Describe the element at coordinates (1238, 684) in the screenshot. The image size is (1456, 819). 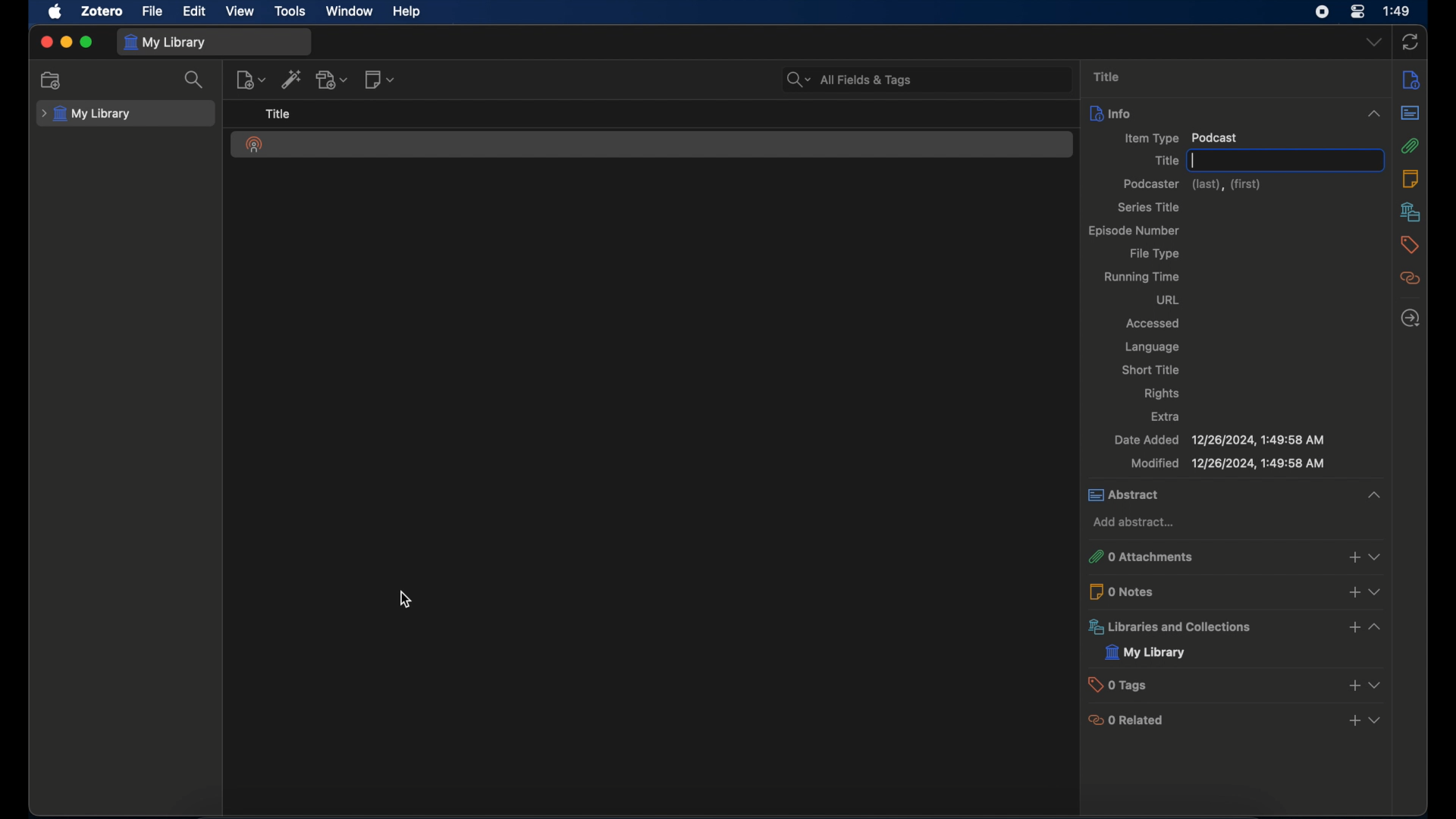
I see `0 tags` at that location.